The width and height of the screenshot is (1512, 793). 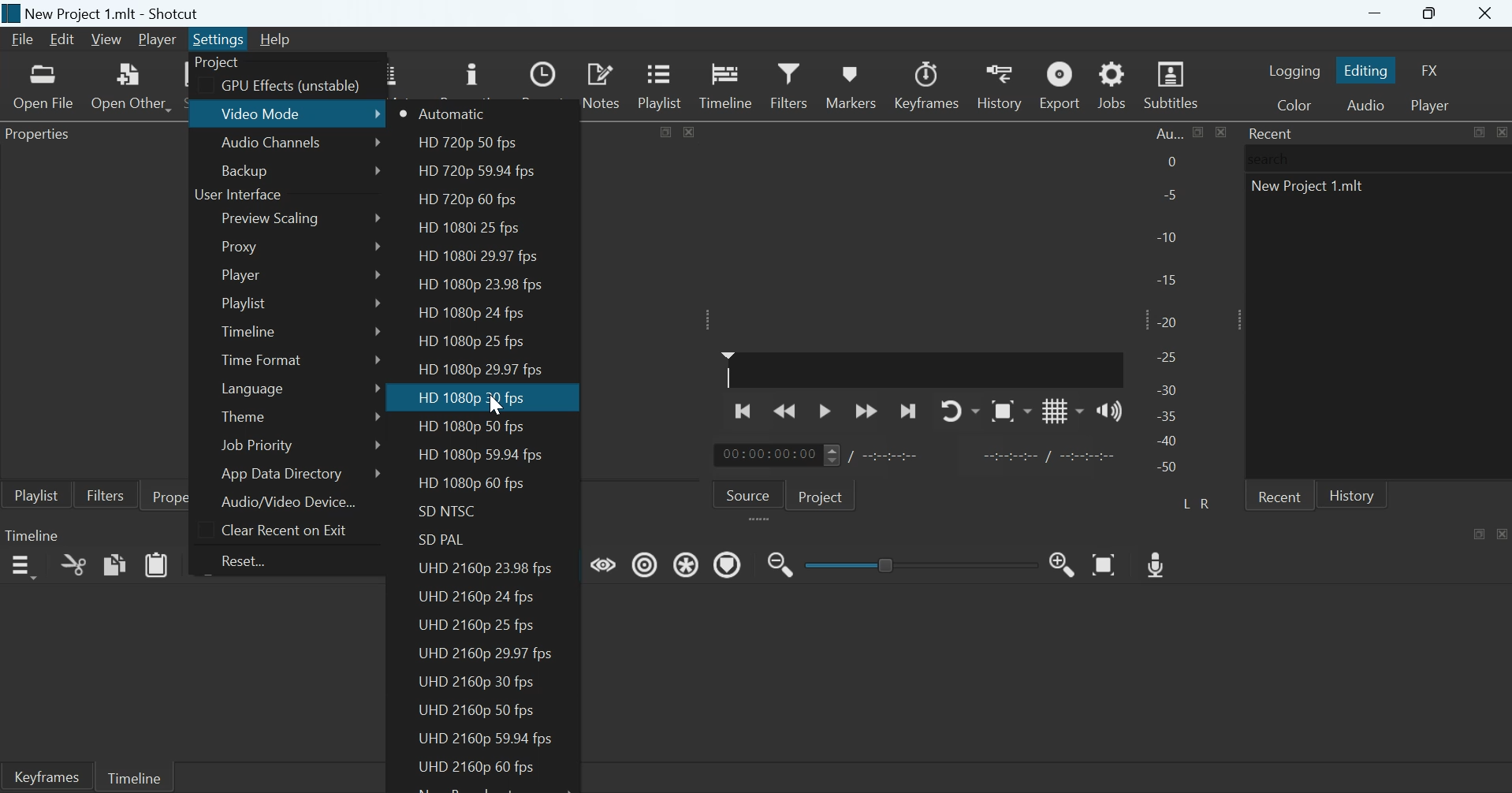 I want to click on Playhead, so click(x=728, y=369).